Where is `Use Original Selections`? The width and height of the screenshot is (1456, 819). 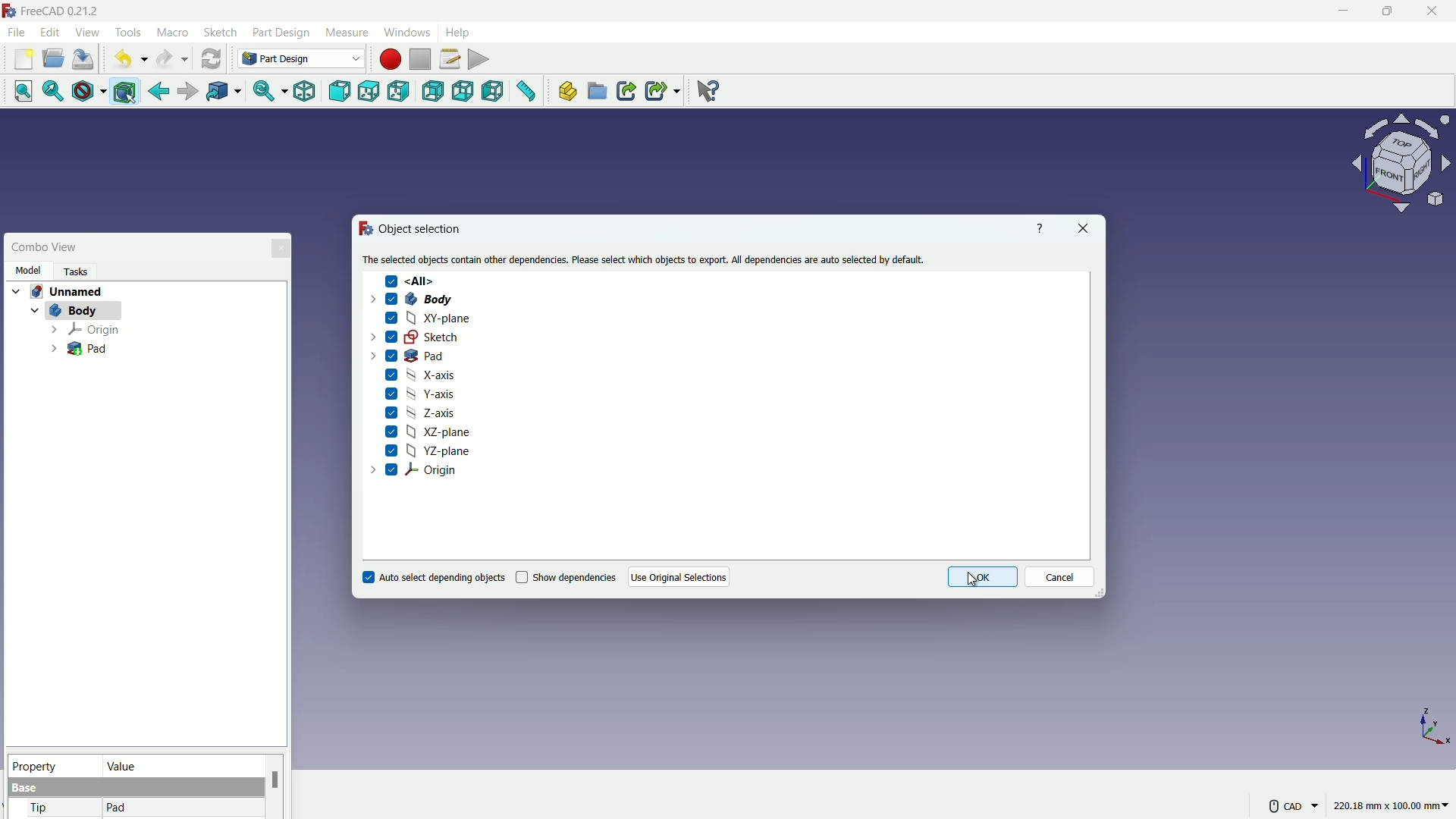 Use Original Selections is located at coordinates (679, 578).